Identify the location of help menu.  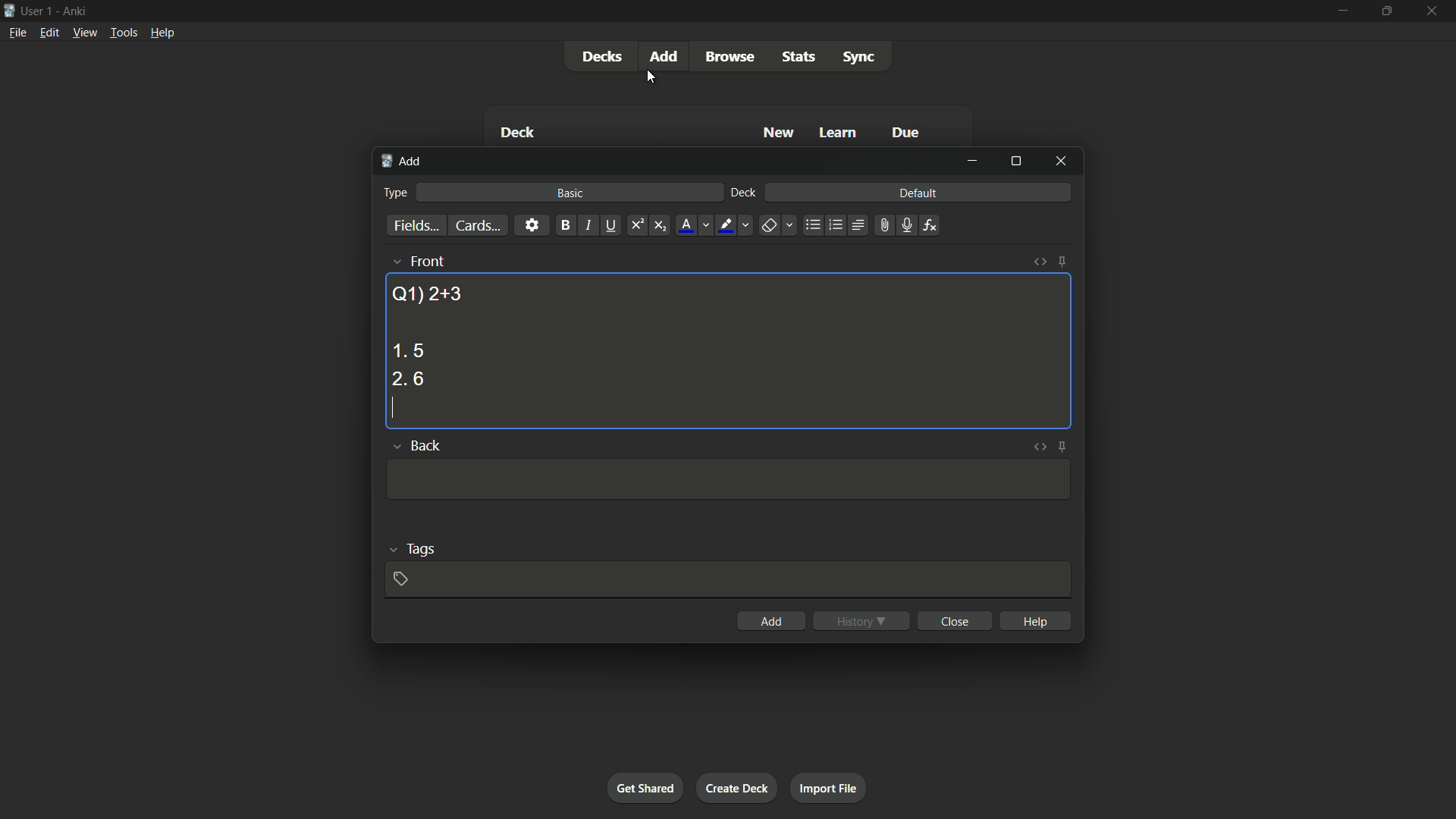
(162, 33).